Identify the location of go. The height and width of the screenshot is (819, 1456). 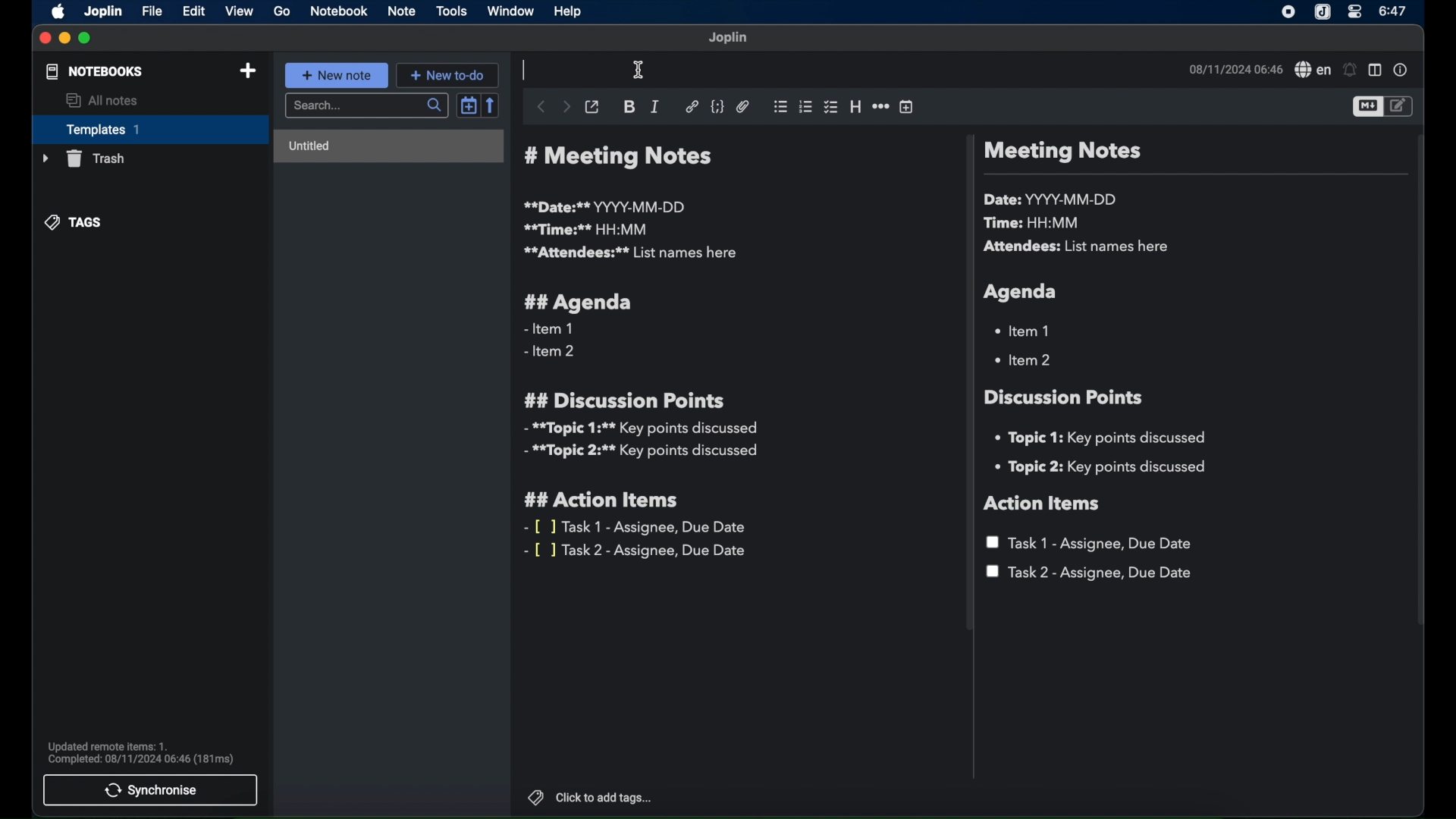
(282, 11).